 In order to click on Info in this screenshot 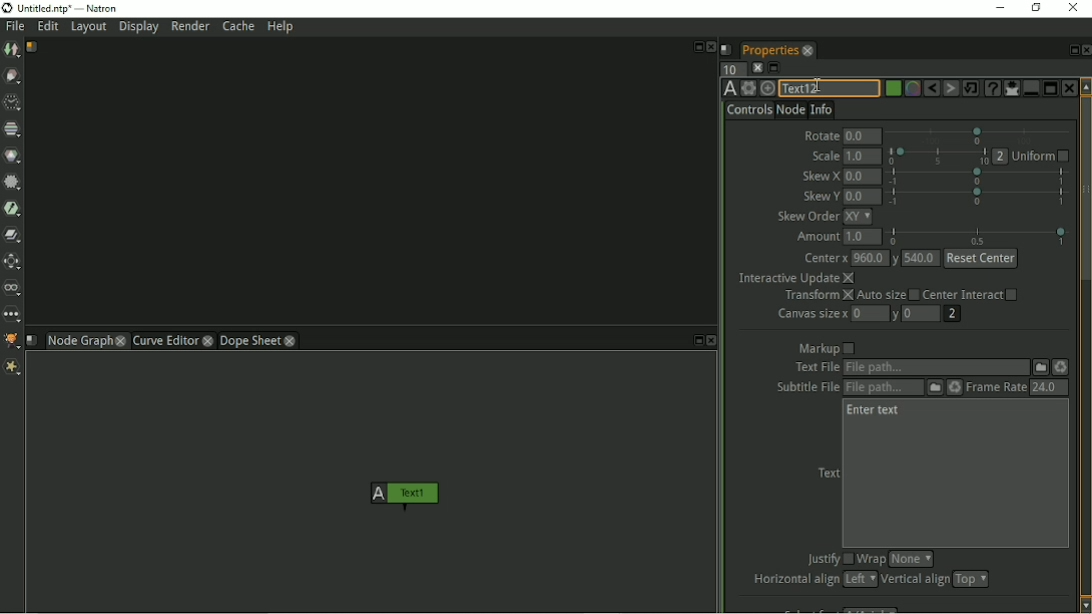, I will do `click(822, 108)`.